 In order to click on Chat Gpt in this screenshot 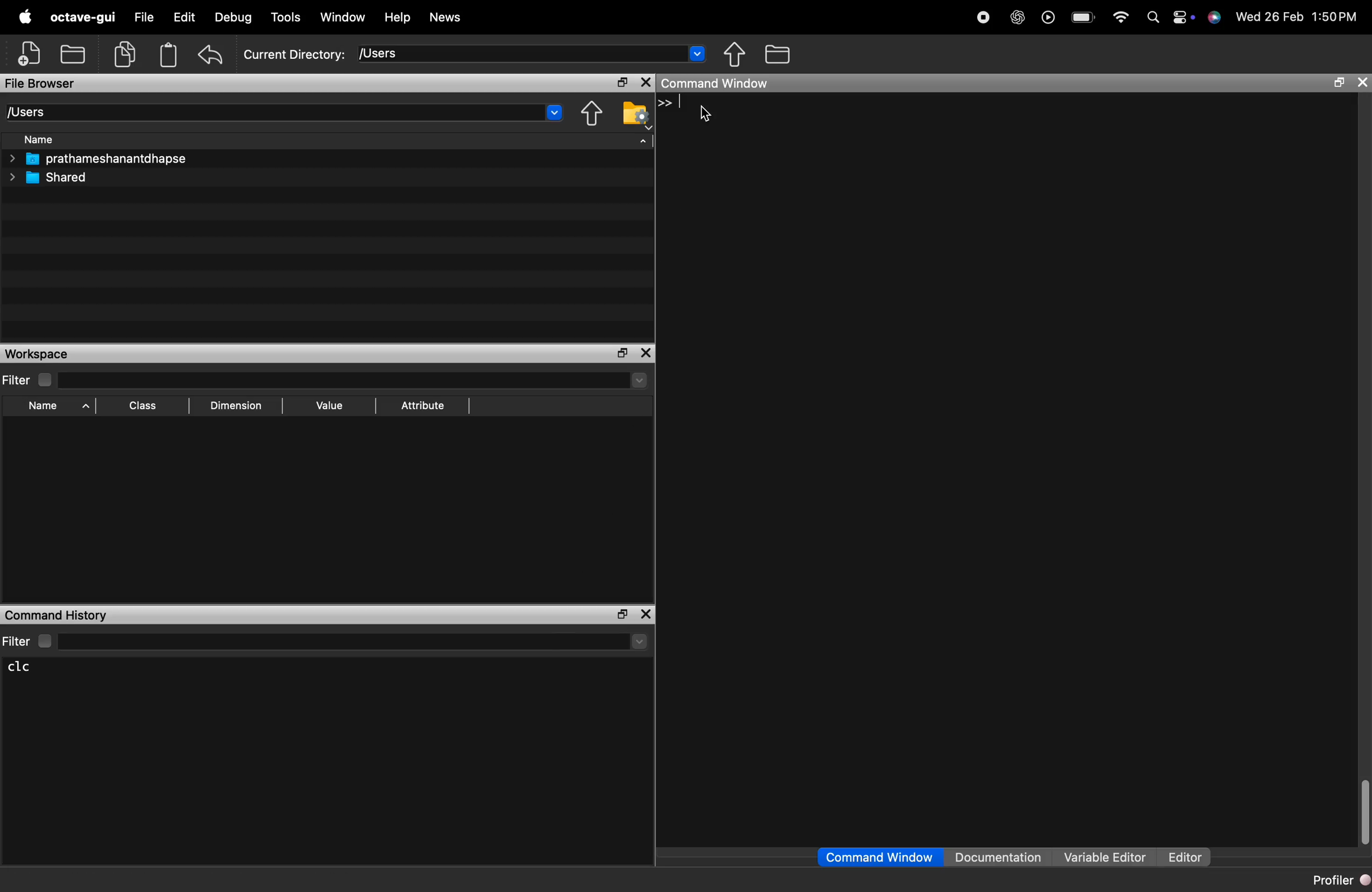, I will do `click(1015, 18)`.